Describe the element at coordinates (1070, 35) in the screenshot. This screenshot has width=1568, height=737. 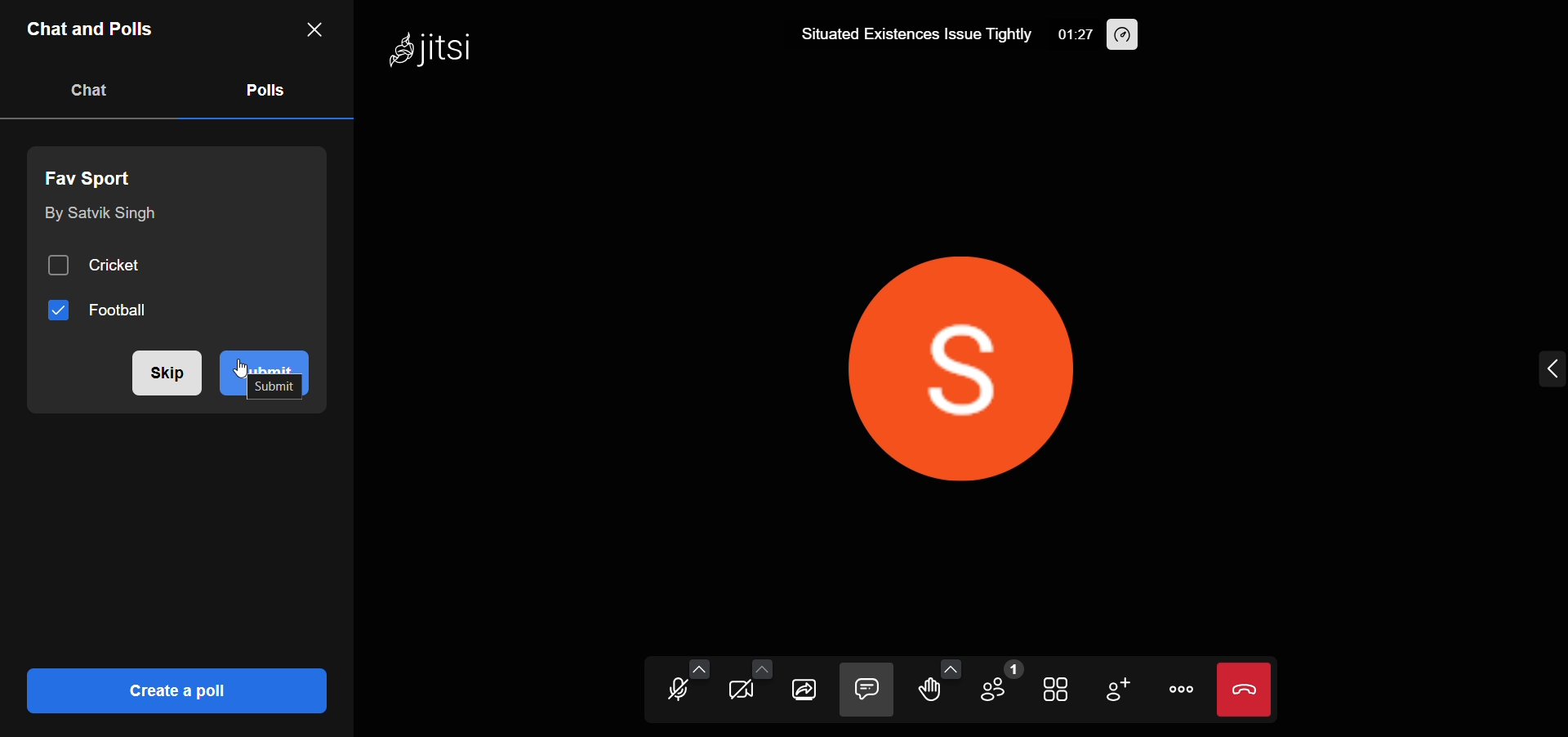
I see `01:27` at that location.